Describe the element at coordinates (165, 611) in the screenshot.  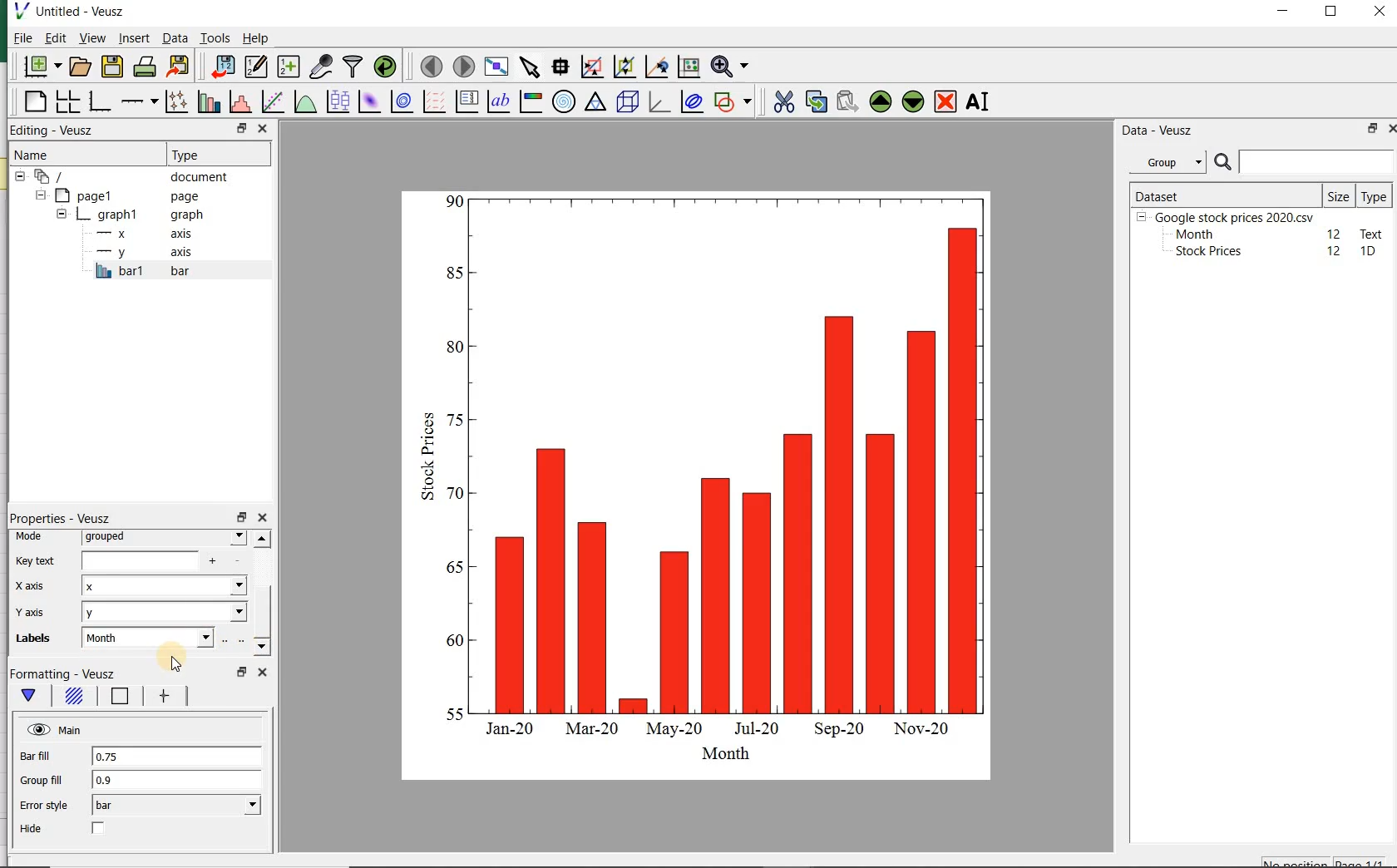
I see `Y` at that location.